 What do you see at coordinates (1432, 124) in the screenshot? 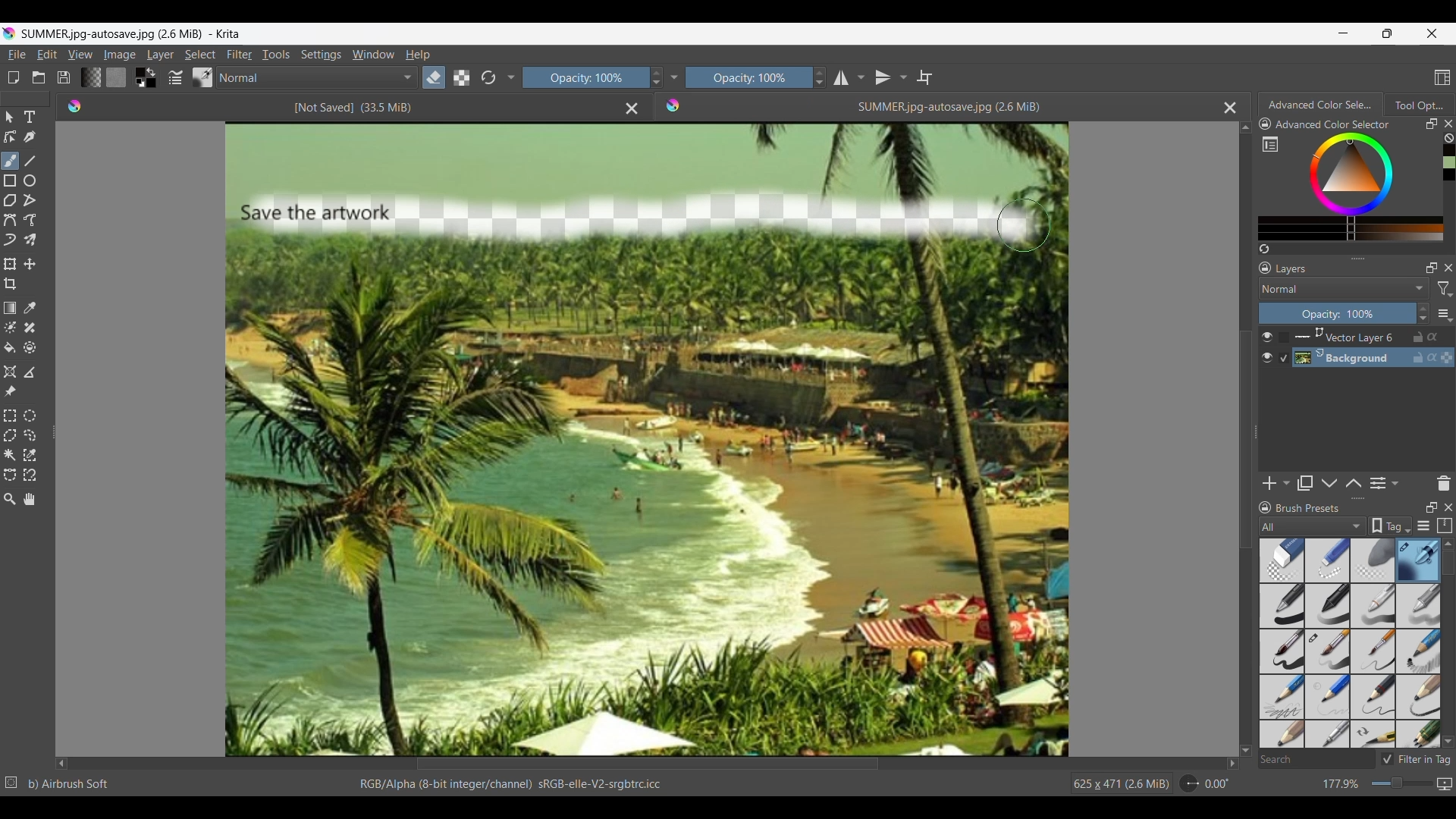
I see `Float panel` at bounding box center [1432, 124].